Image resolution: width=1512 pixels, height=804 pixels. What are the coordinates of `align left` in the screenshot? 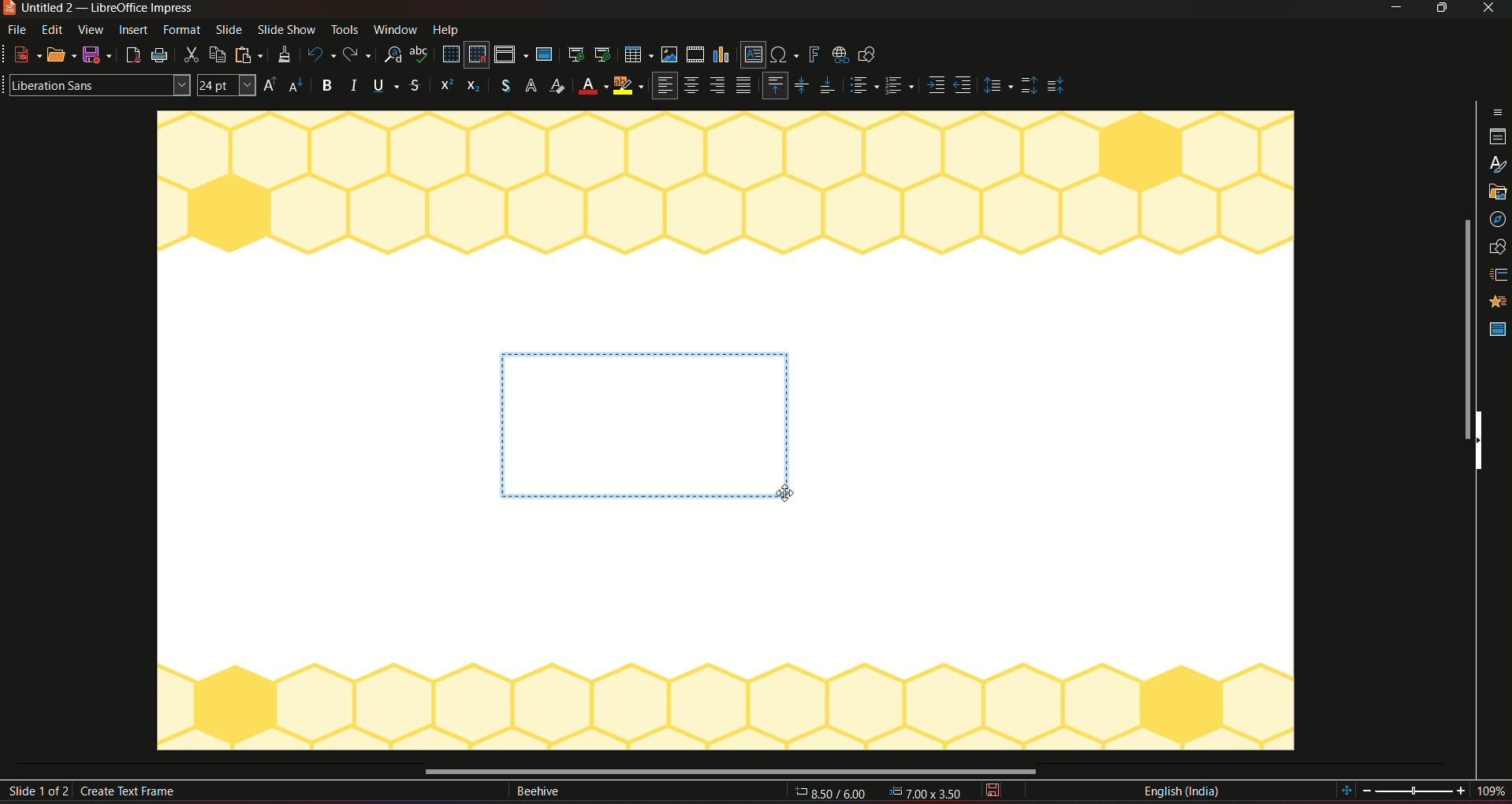 It's located at (664, 86).